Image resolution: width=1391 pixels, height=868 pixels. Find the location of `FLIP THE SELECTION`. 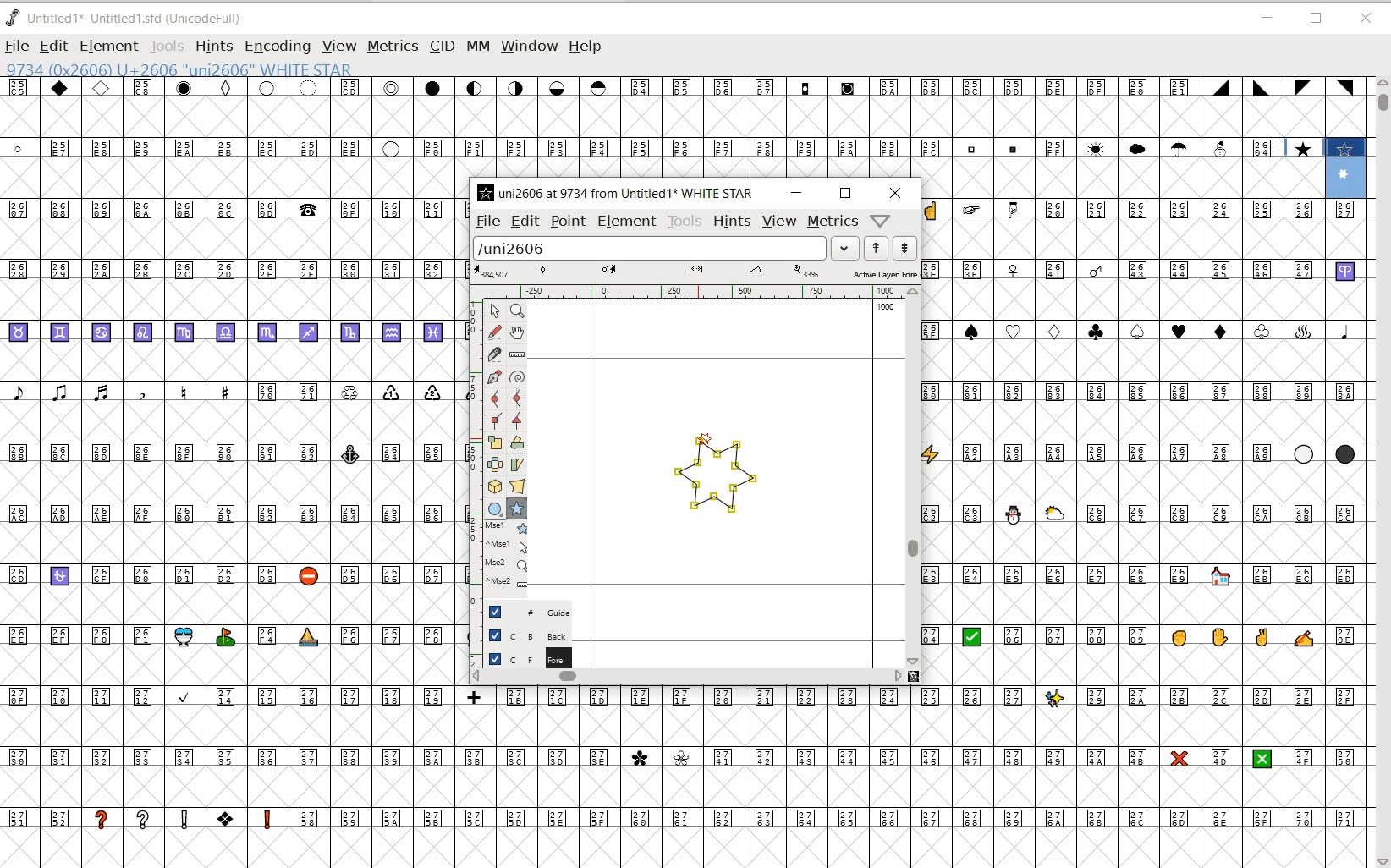

FLIP THE SELECTION is located at coordinates (496, 465).